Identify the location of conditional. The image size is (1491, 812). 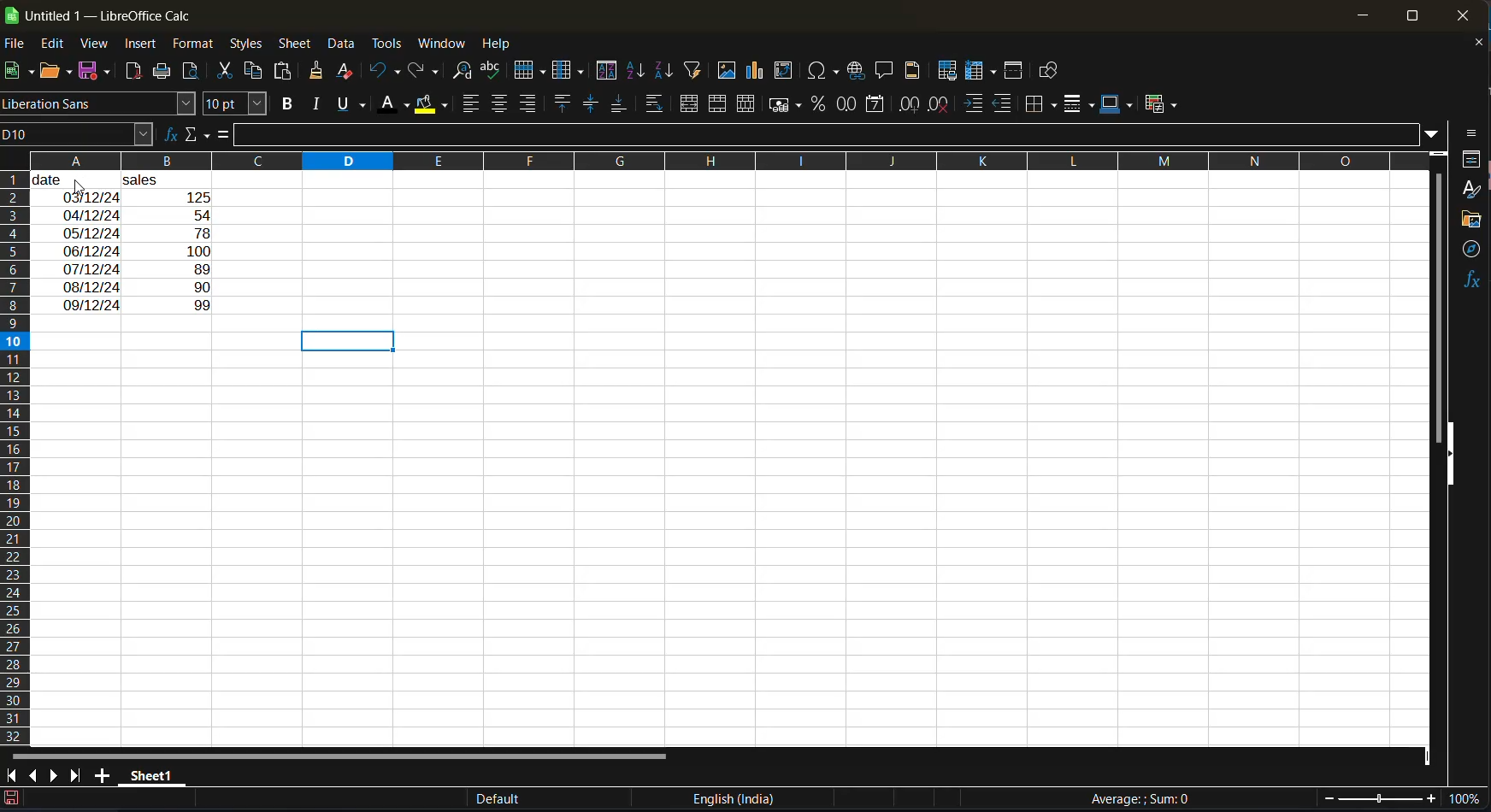
(1161, 105).